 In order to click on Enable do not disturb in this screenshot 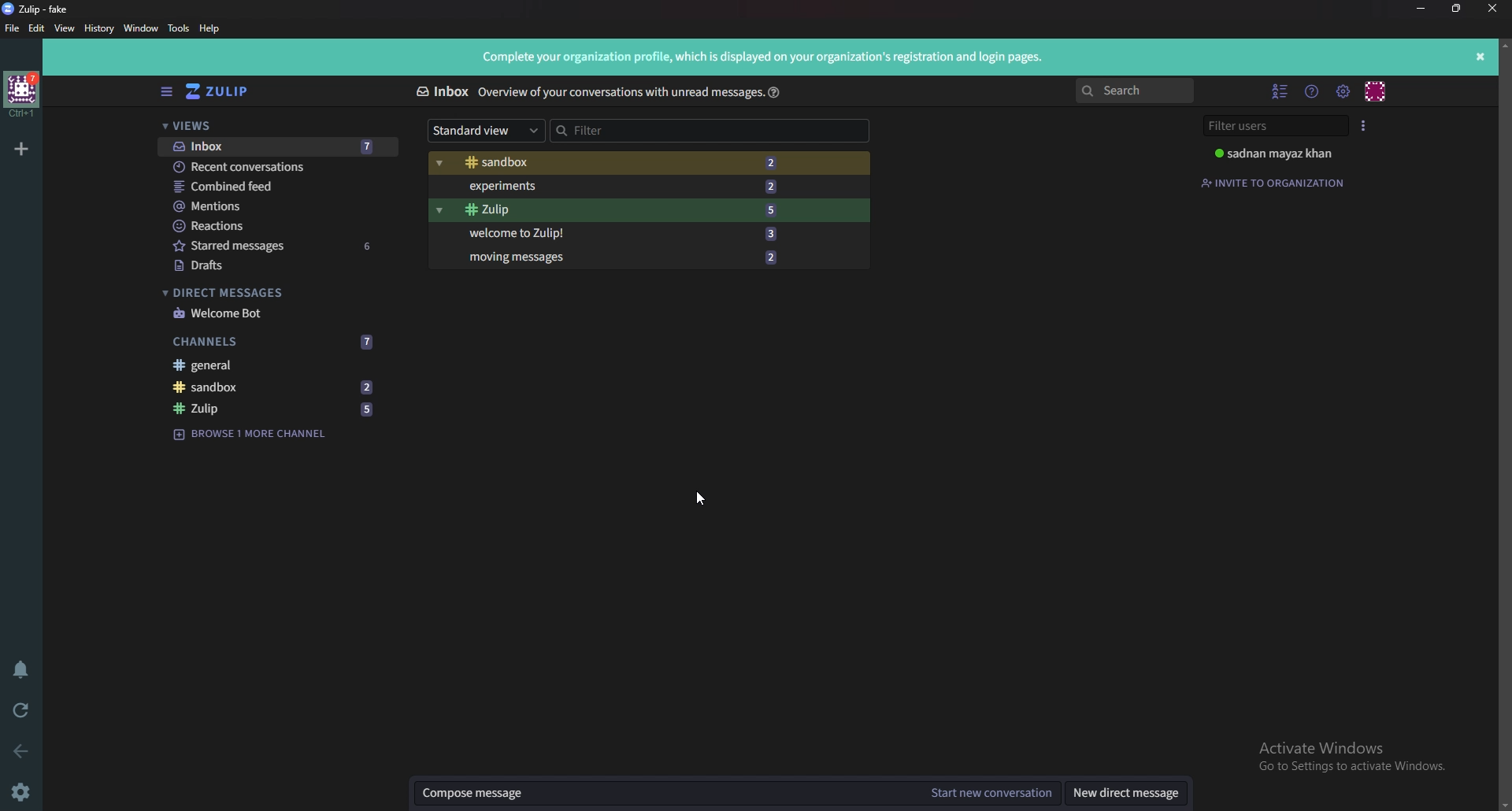, I will do `click(22, 669)`.